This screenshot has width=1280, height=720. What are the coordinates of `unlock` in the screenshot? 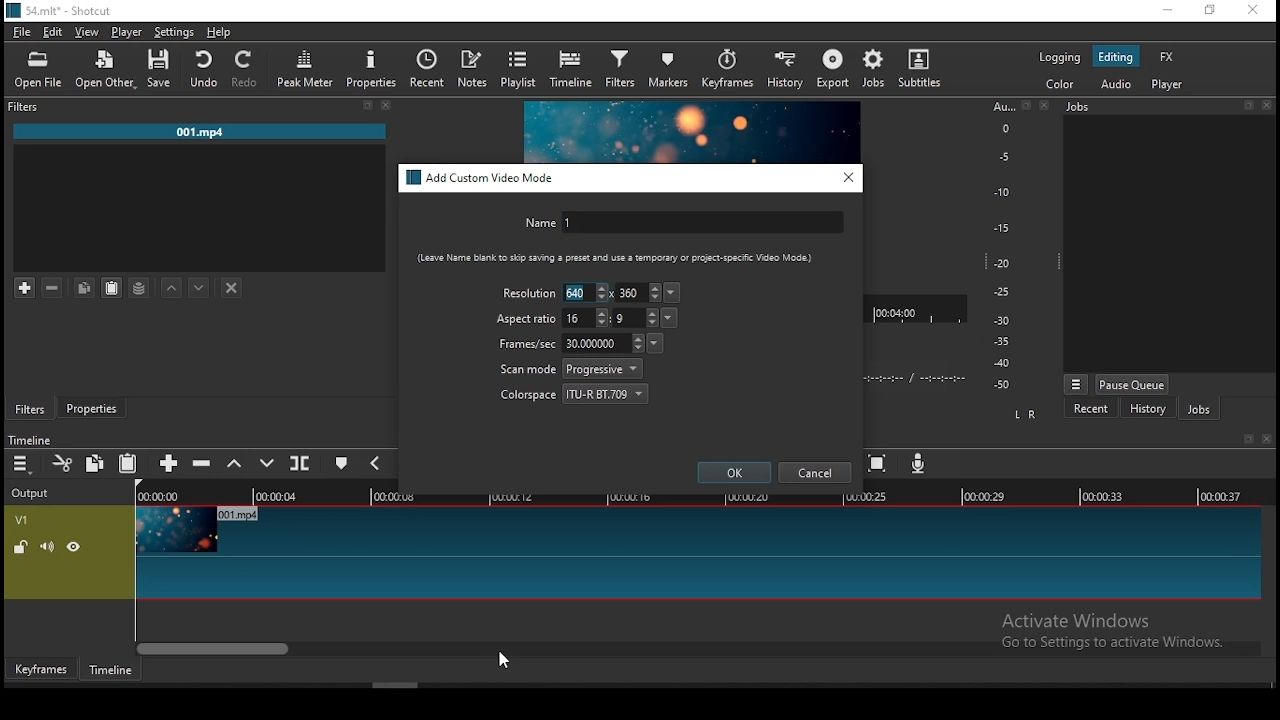 It's located at (20, 549).